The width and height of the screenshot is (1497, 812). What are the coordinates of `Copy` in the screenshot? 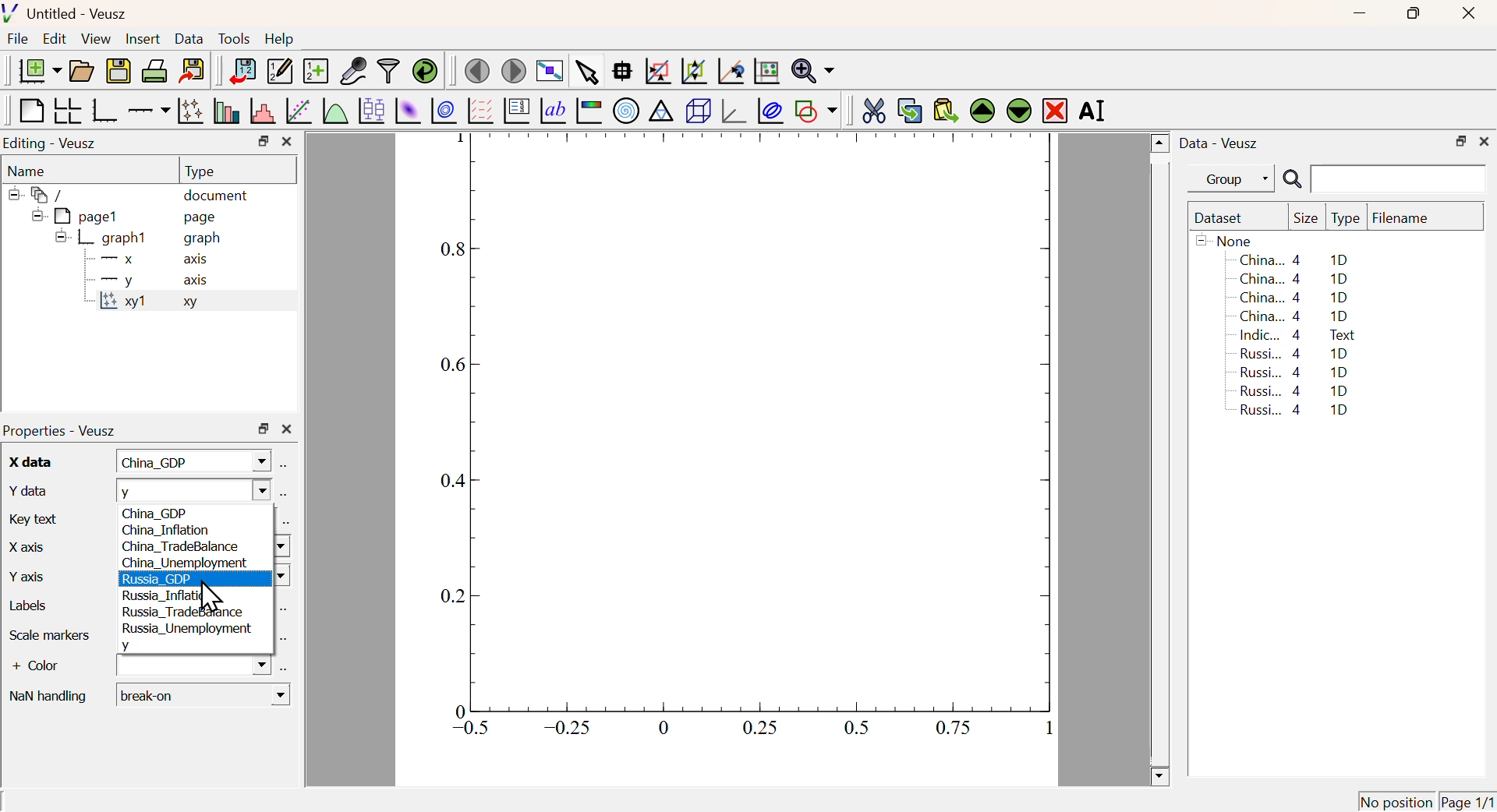 It's located at (909, 111).